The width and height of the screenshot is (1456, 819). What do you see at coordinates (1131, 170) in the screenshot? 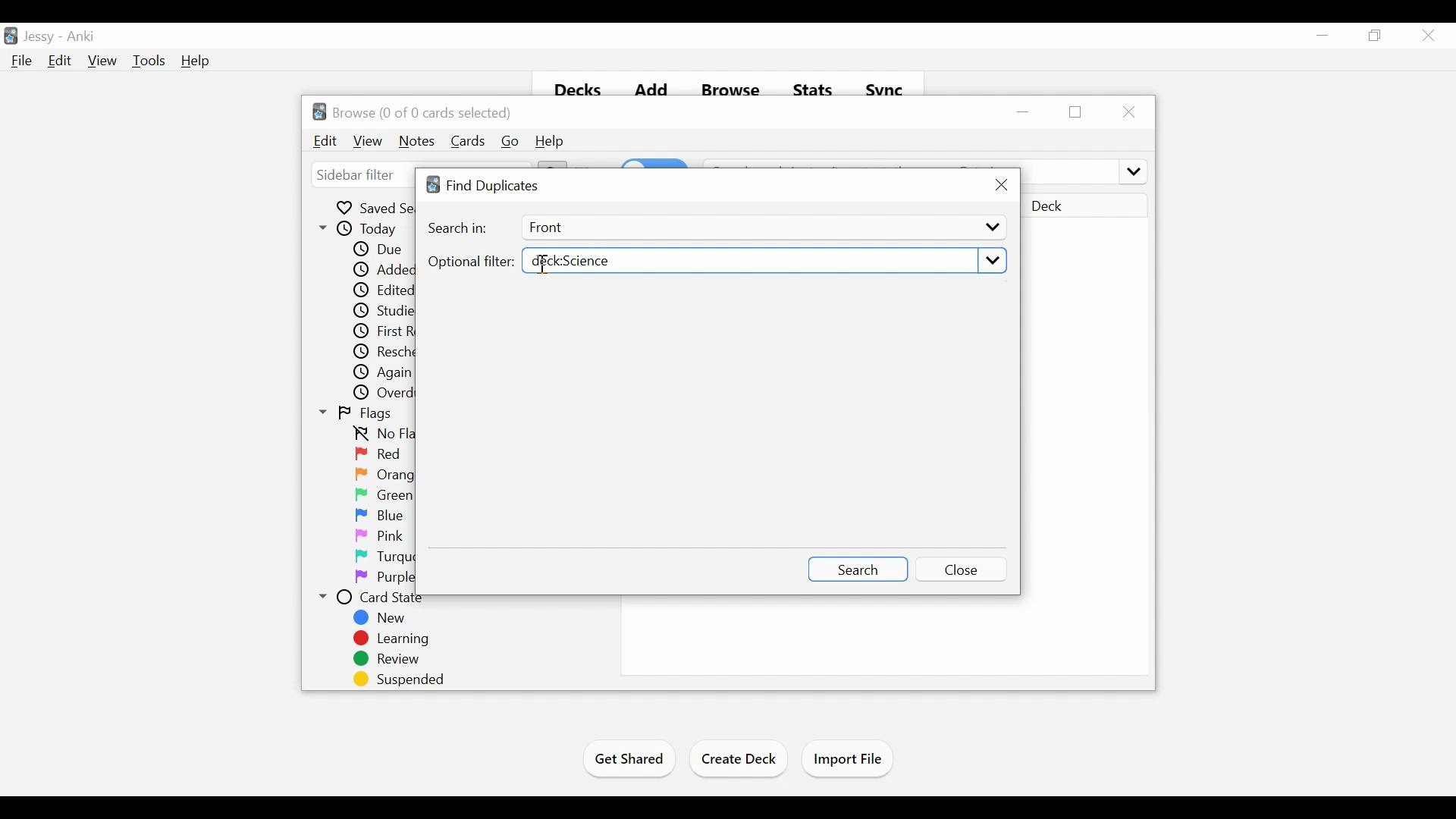
I see `more options` at bounding box center [1131, 170].